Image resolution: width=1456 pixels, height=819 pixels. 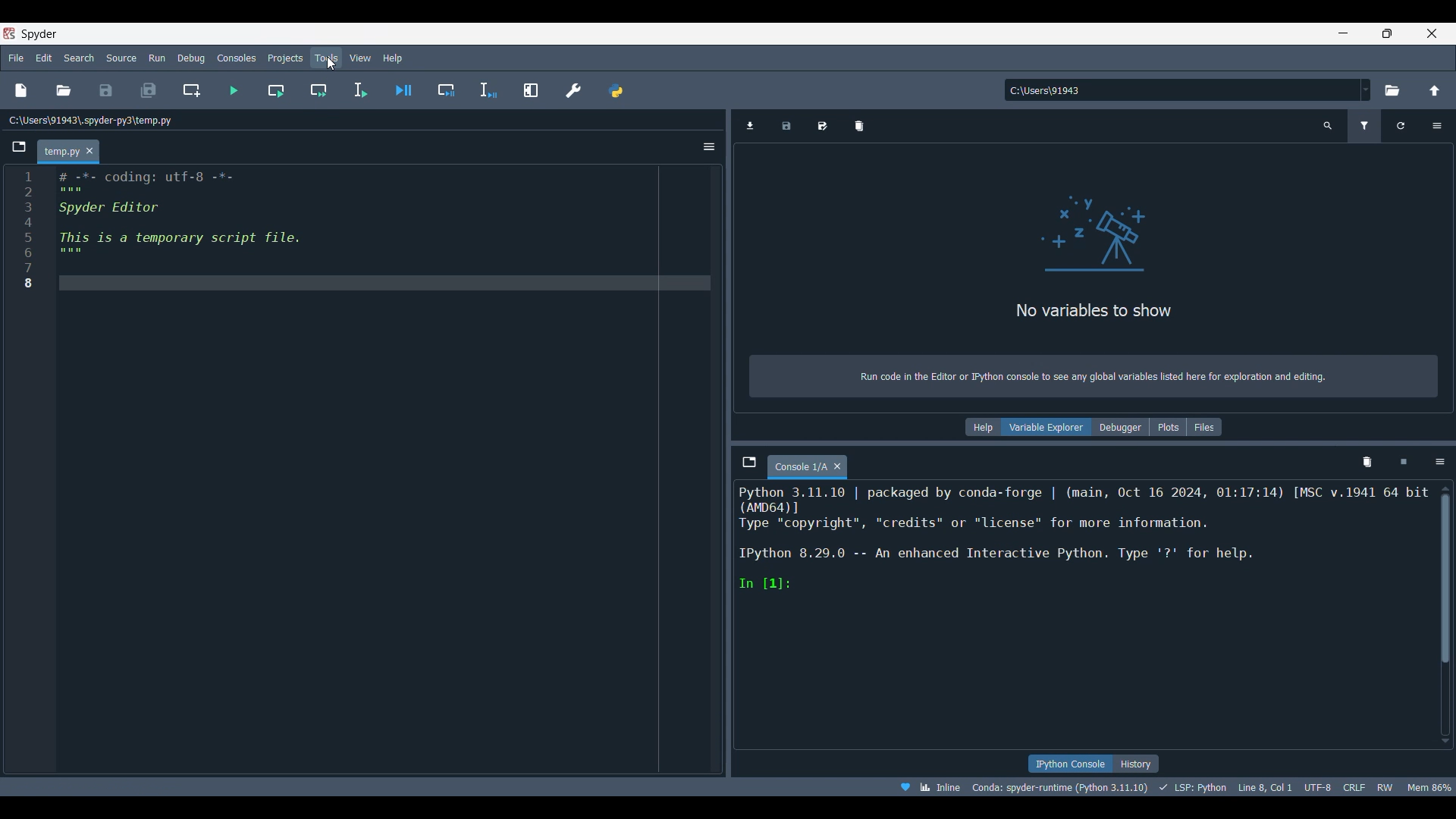 I want to click on Edit menu, so click(x=43, y=58).